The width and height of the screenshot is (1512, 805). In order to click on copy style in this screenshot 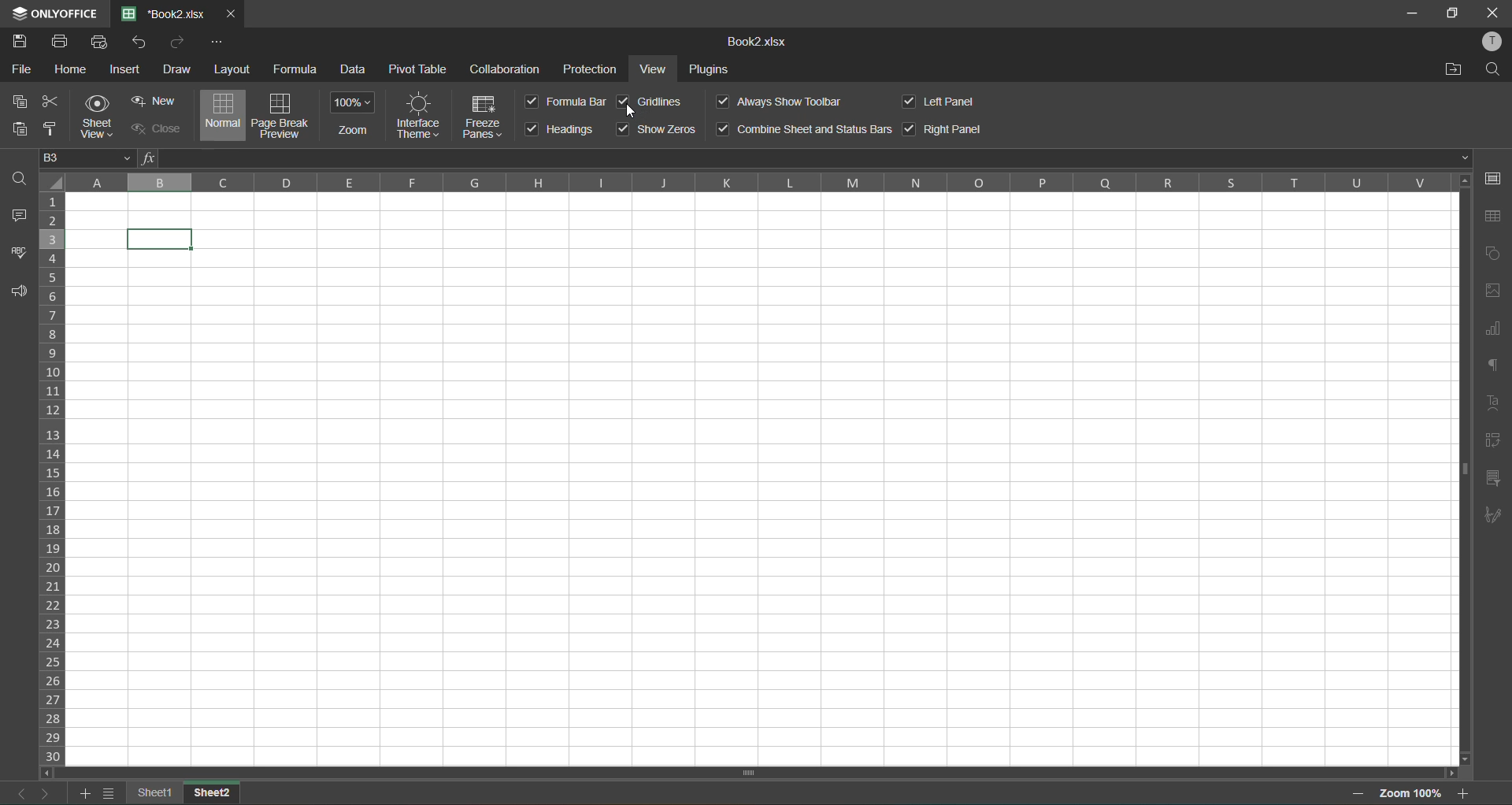, I will do `click(52, 129)`.